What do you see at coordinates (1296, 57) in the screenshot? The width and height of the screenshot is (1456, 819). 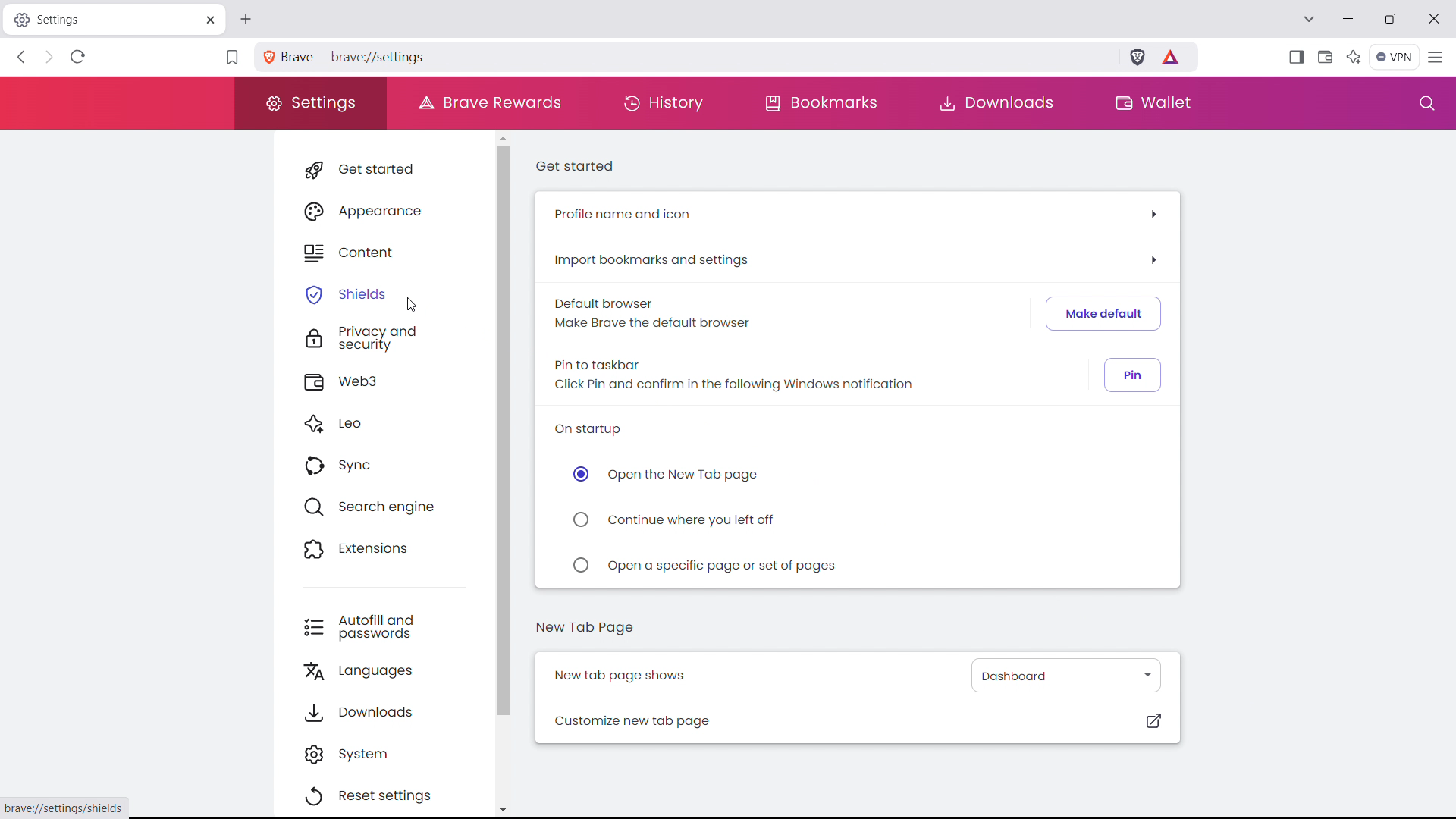 I see `open sidebar` at bounding box center [1296, 57].